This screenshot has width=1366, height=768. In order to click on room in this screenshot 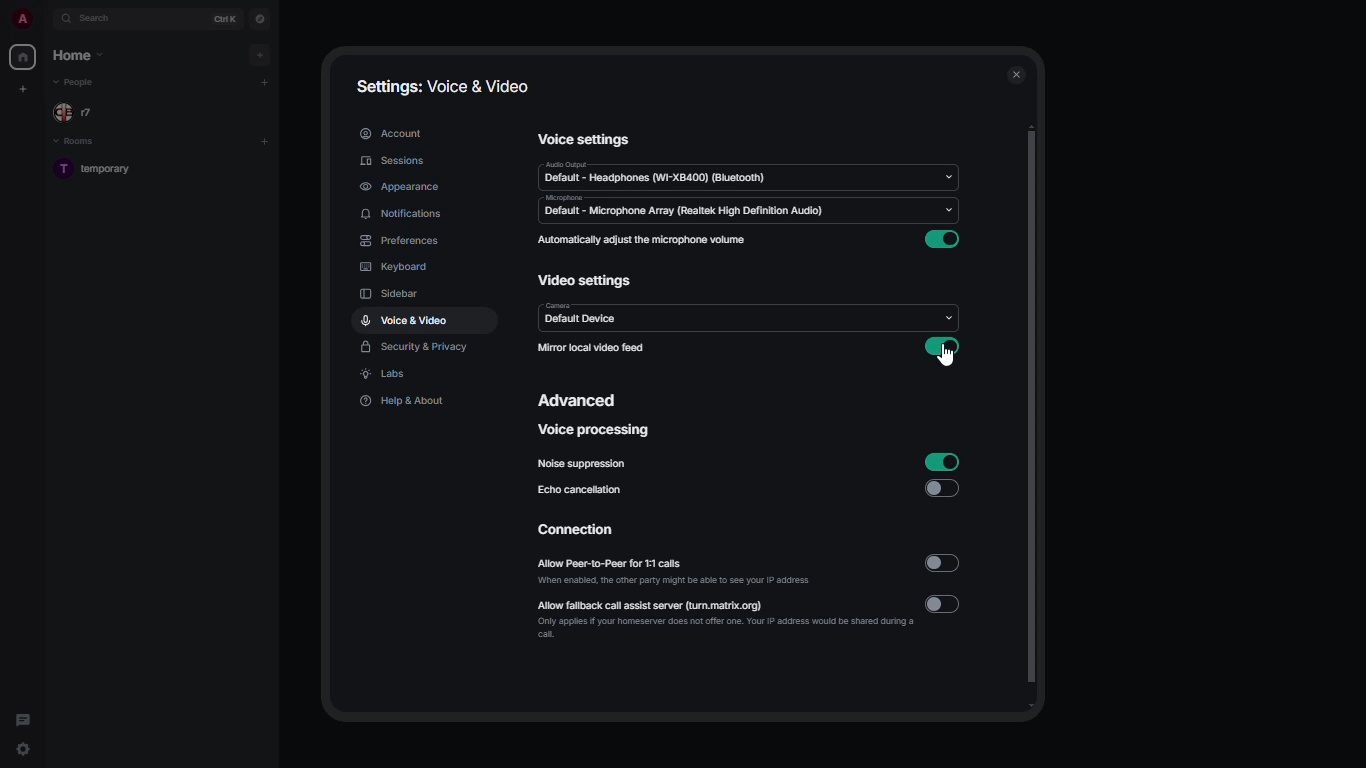, I will do `click(99, 170)`.